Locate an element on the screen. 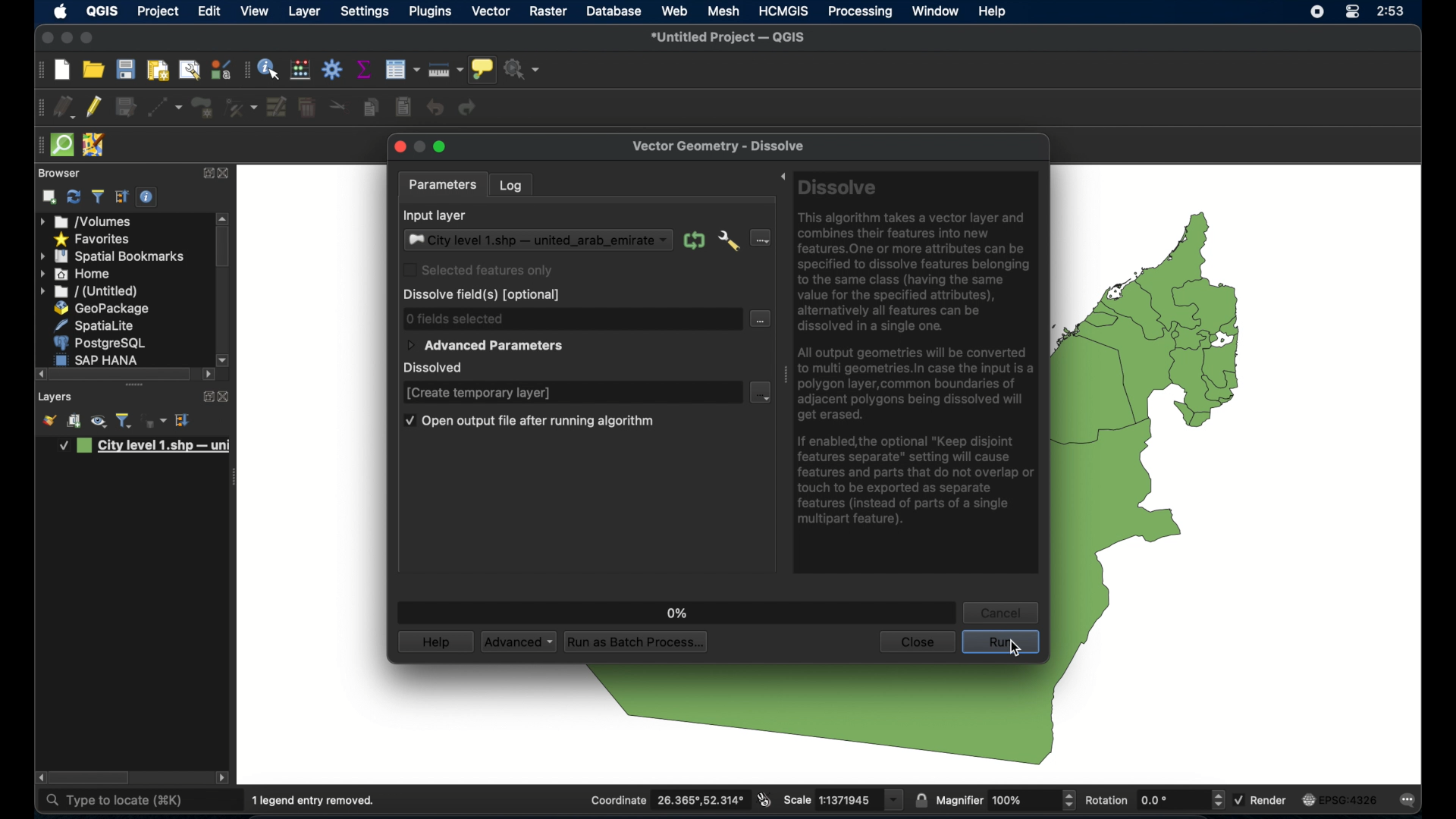  mesh is located at coordinates (723, 12).